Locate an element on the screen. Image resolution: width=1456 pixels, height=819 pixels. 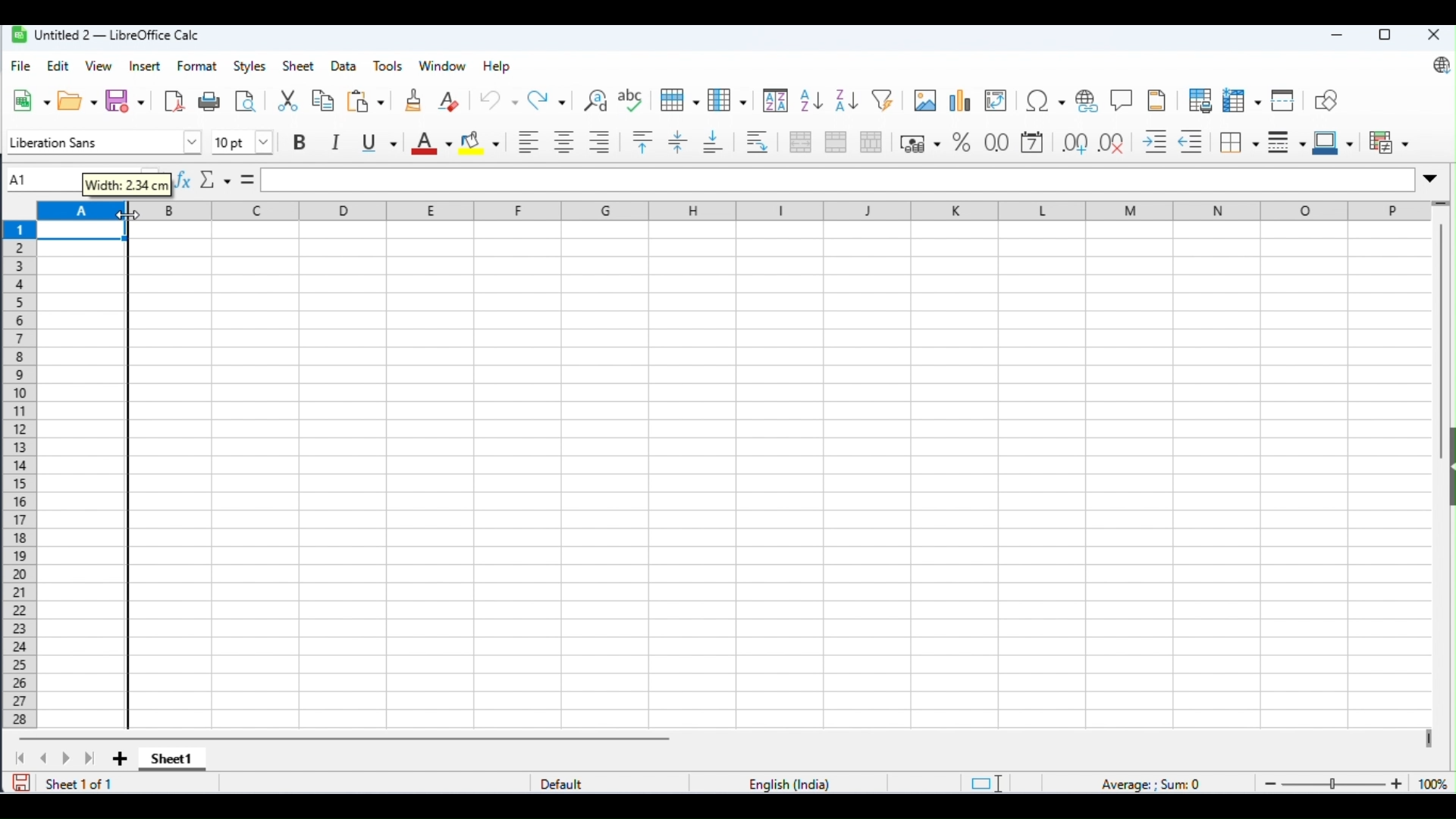
undo is located at coordinates (499, 99).